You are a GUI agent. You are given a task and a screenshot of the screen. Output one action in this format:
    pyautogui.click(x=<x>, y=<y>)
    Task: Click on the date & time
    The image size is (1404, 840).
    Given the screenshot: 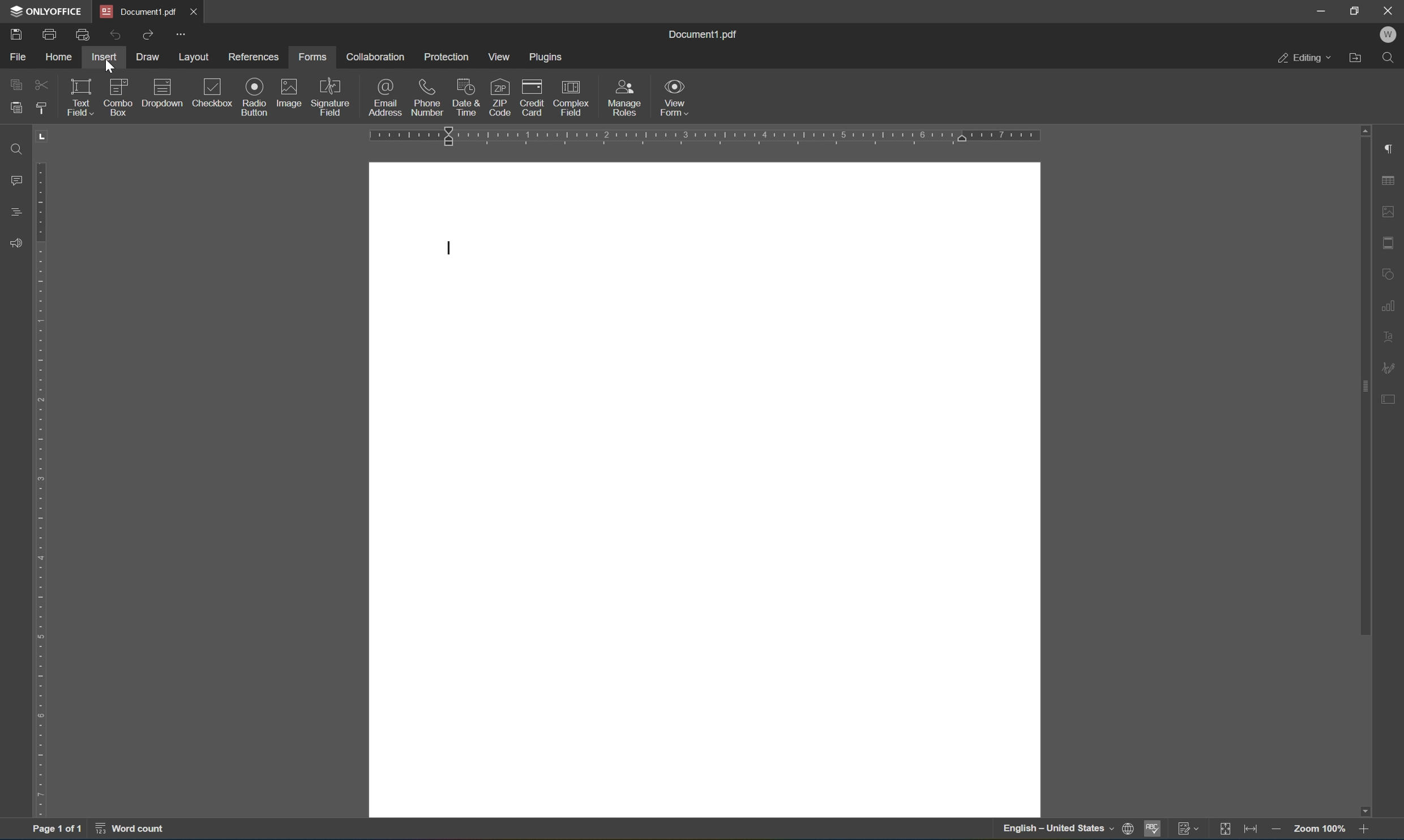 What is the action you would take?
    pyautogui.click(x=465, y=97)
    